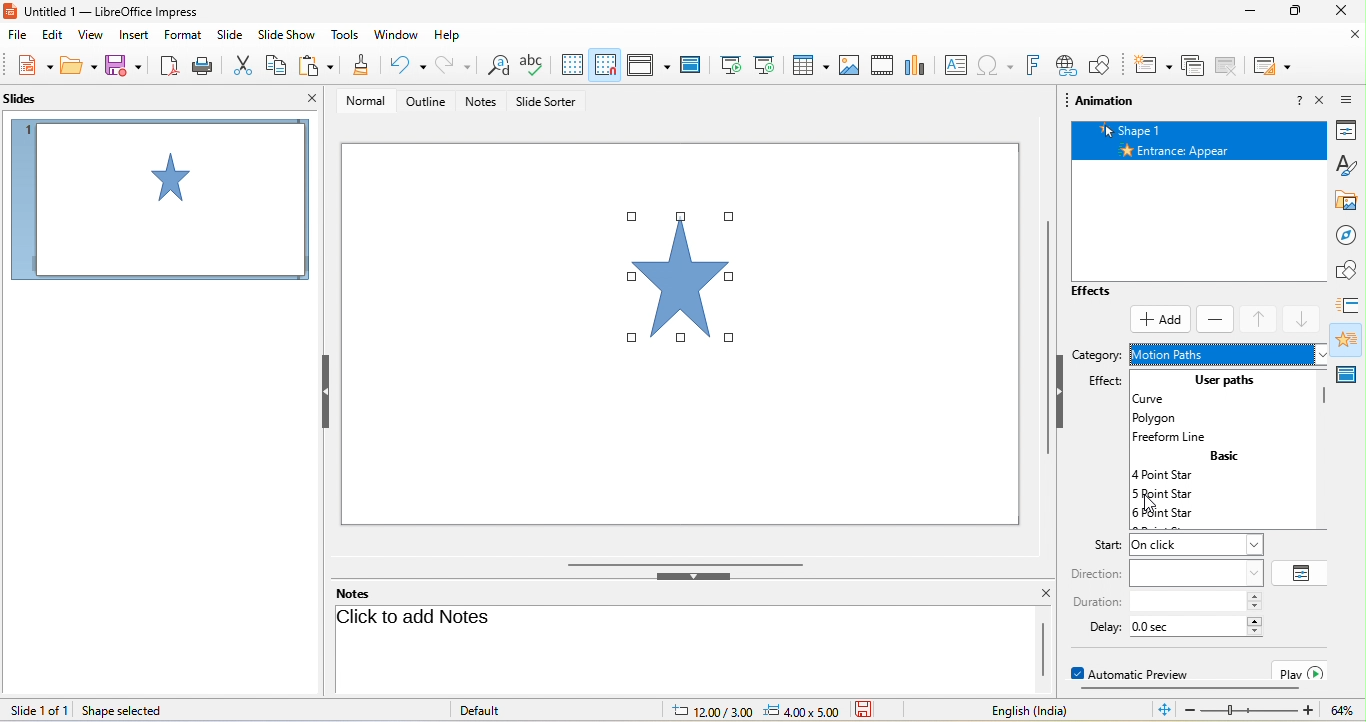  Describe the element at coordinates (1253, 10) in the screenshot. I see `minimize` at that location.